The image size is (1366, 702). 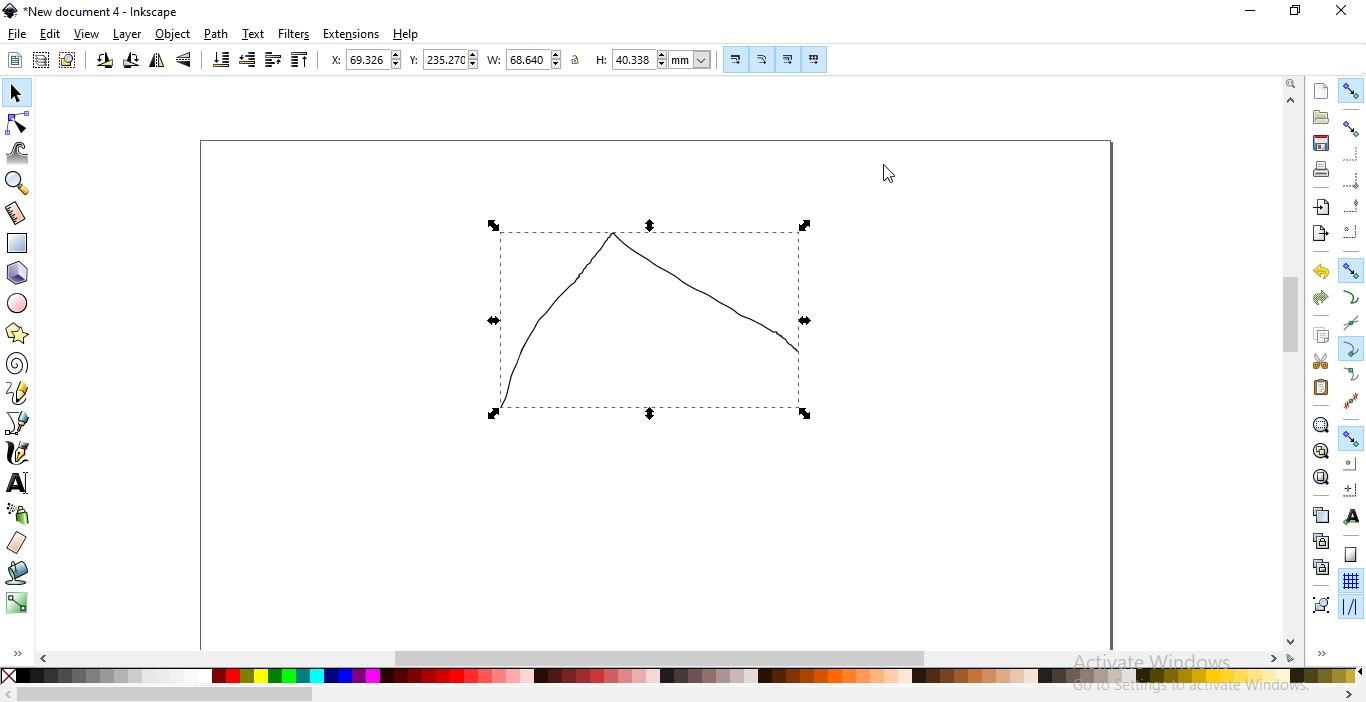 What do you see at coordinates (351, 35) in the screenshot?
I see `extensions` at bounding box center [351, 35].